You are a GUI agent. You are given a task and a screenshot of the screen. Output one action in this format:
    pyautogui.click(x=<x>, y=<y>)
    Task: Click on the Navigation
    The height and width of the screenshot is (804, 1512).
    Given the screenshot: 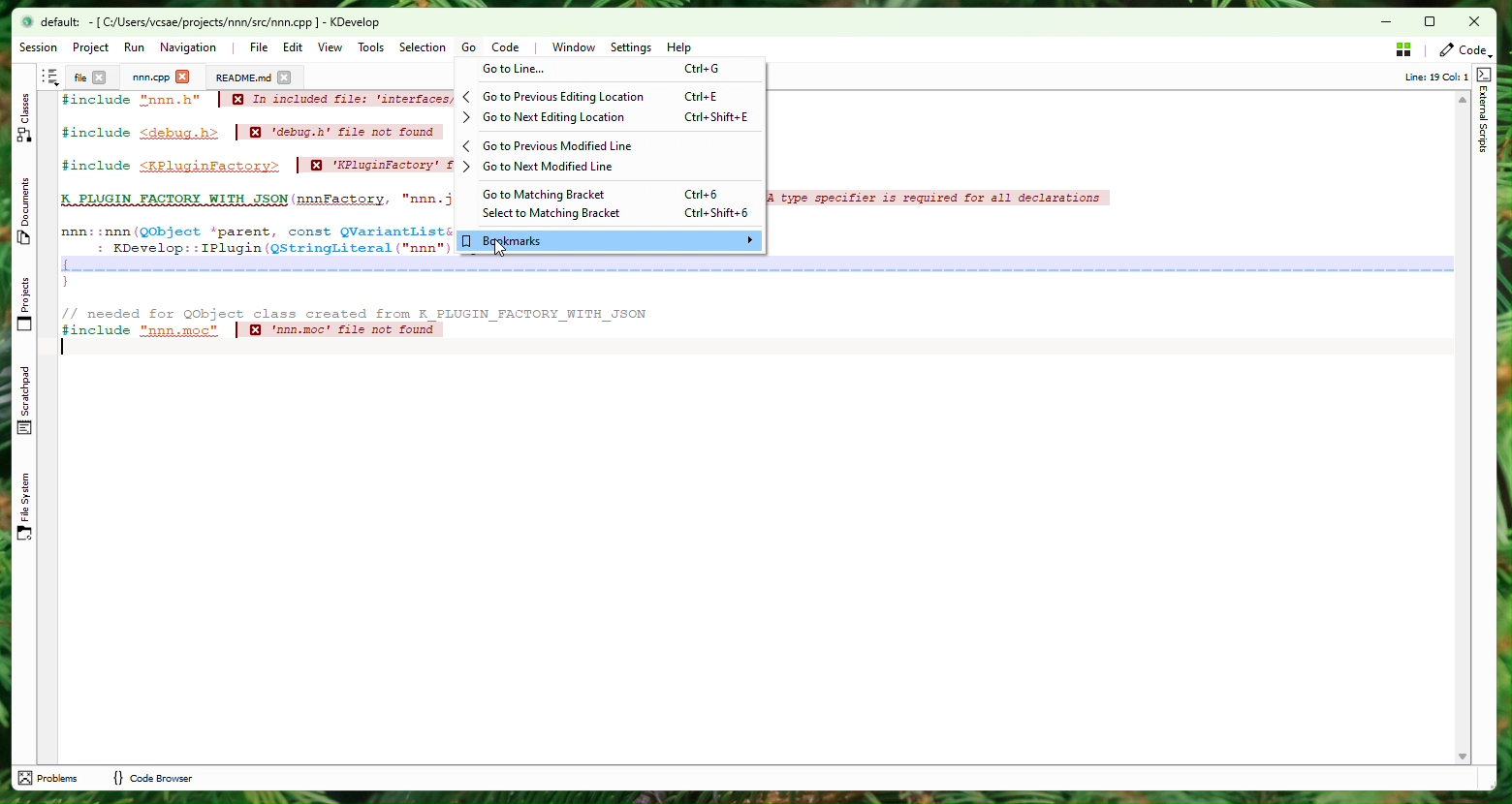 What is the action you would take?
    pyautogui.click(x=193, y=48)
    